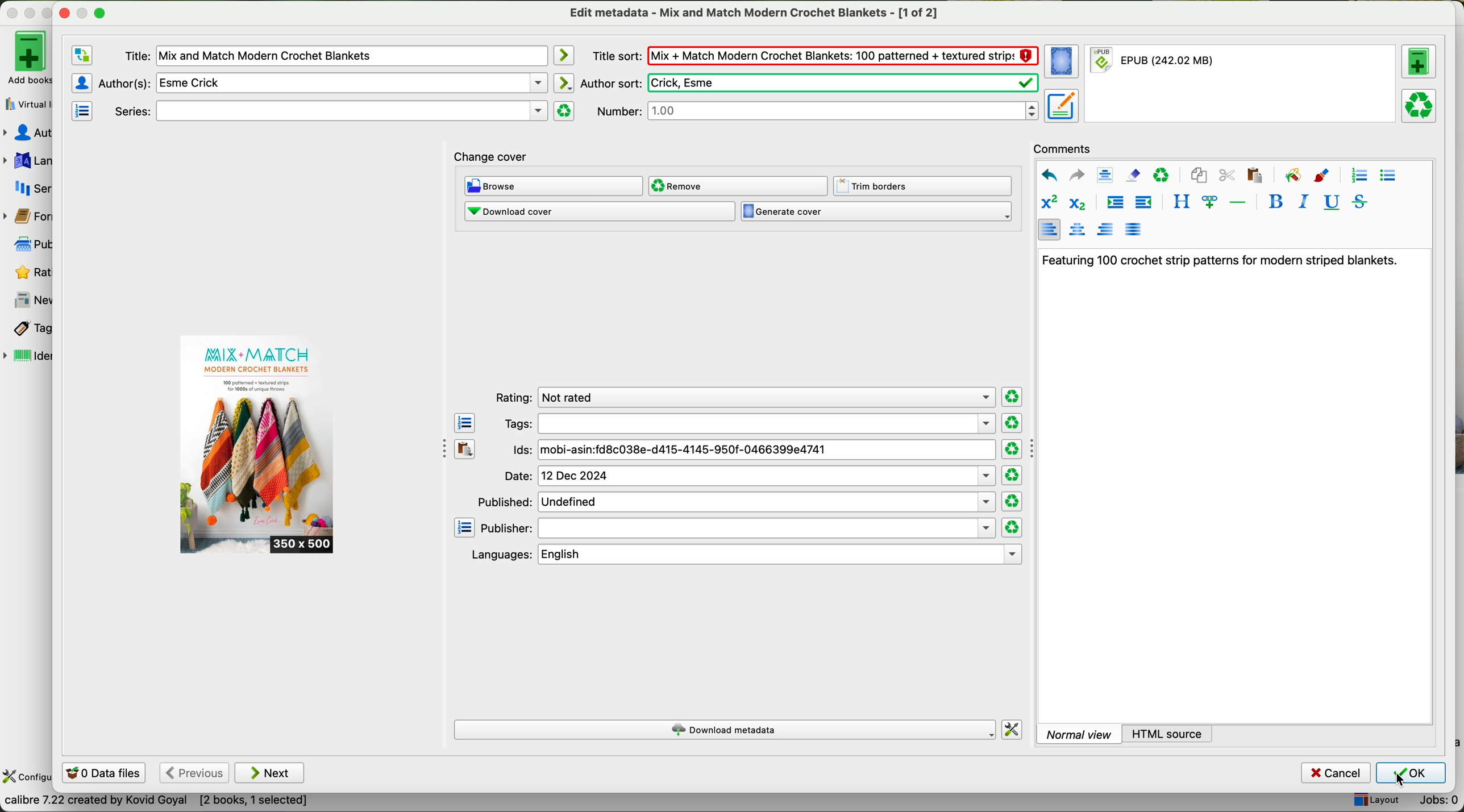 Image resolution: width=1464 pixels, height=812 pixels. I want to click on rating, so click(742, 398).